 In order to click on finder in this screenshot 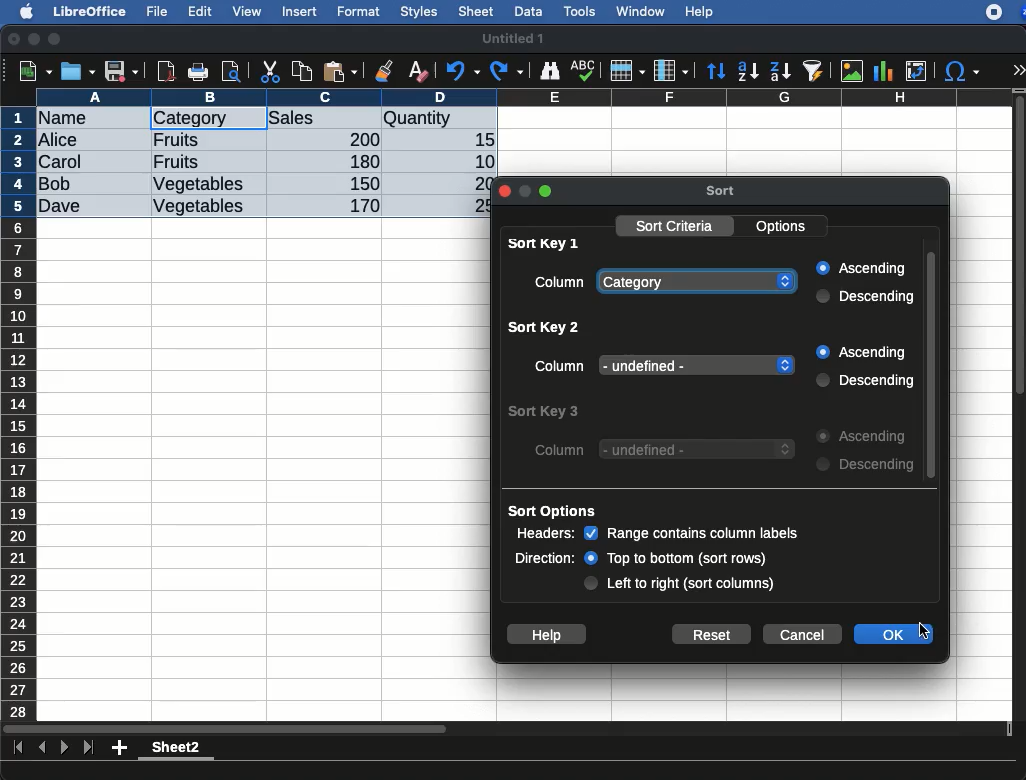, I will do `click(549, 71)`.